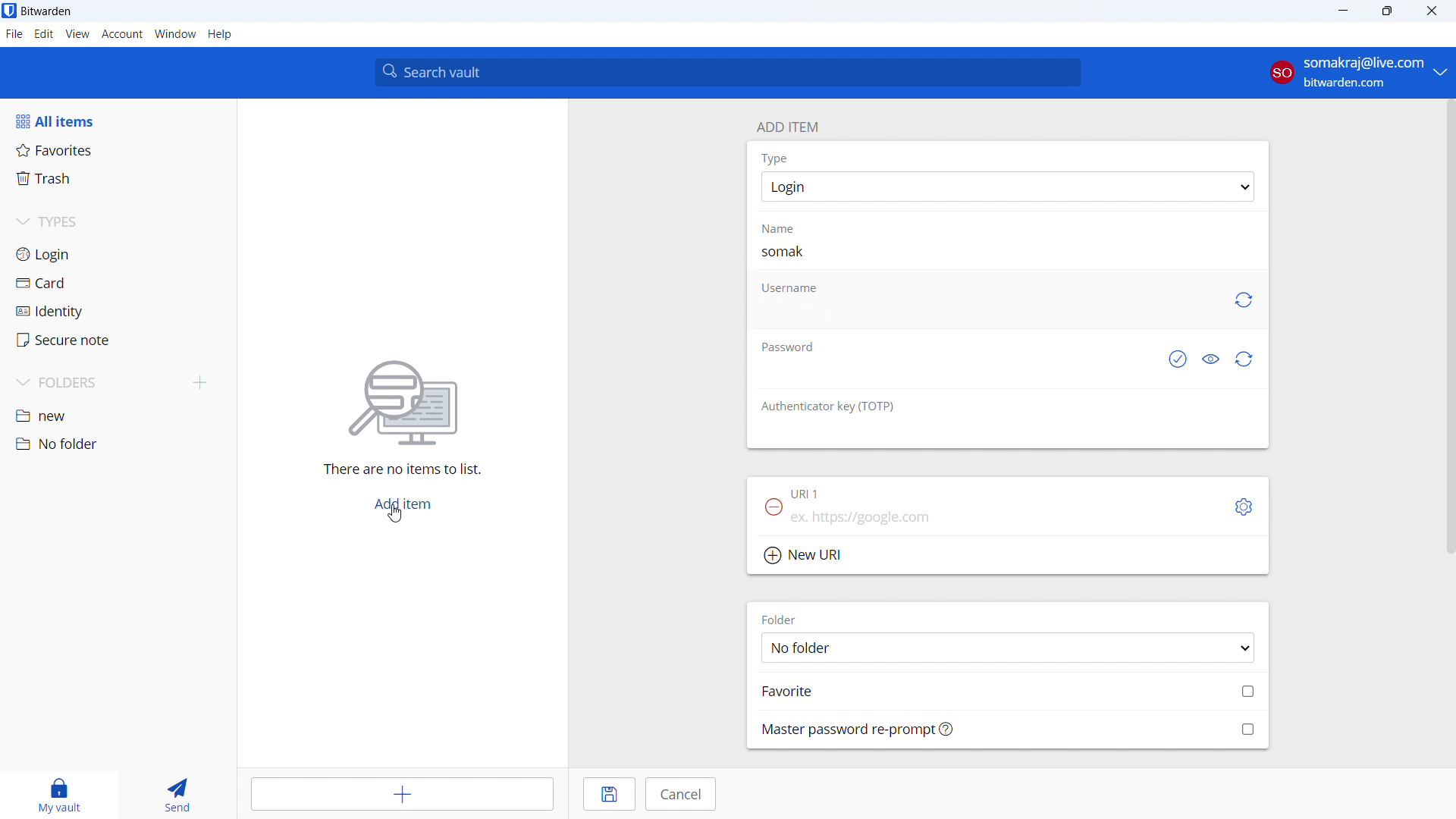  Describe the element at coordinates (786, 125) in the screenshot. I see `add item` at that location.